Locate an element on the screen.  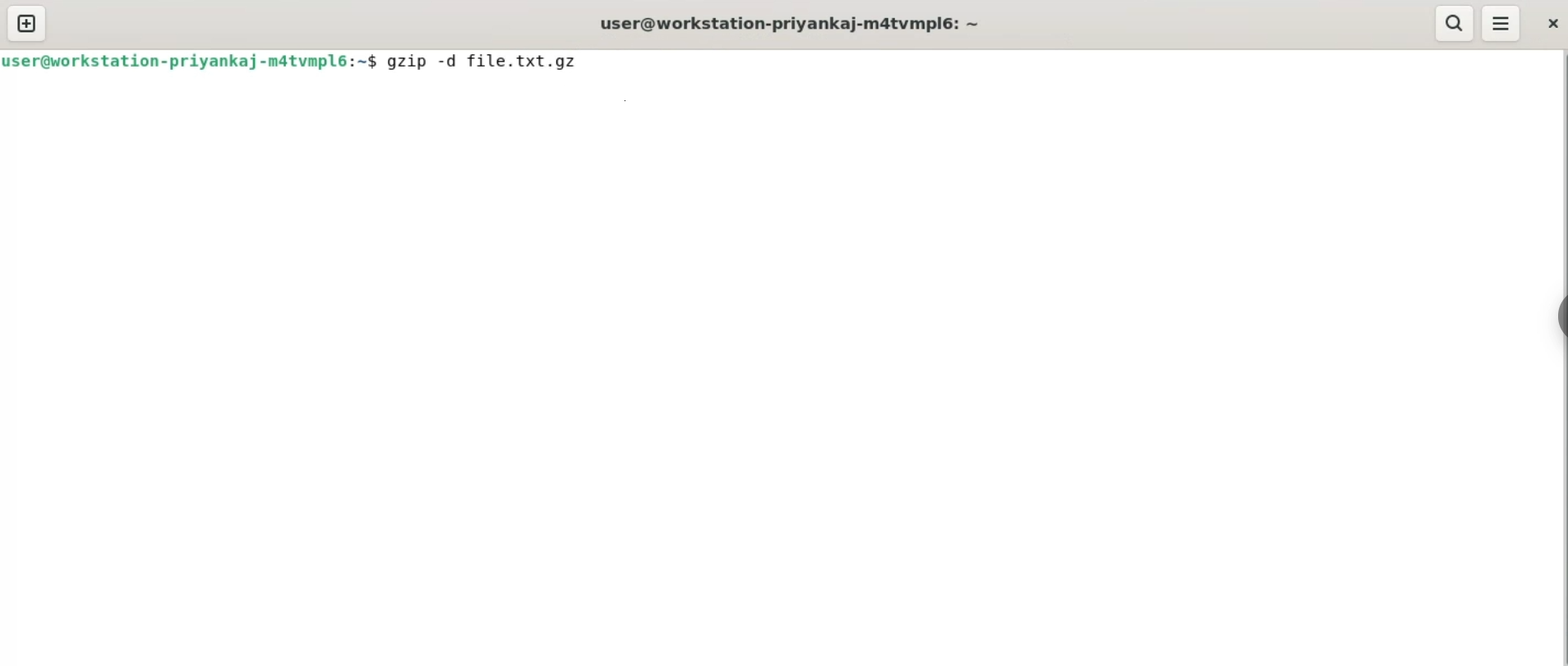
user@workstation-priyankaj-m4tvmplé: ~ is located at coordinates (791, 25).